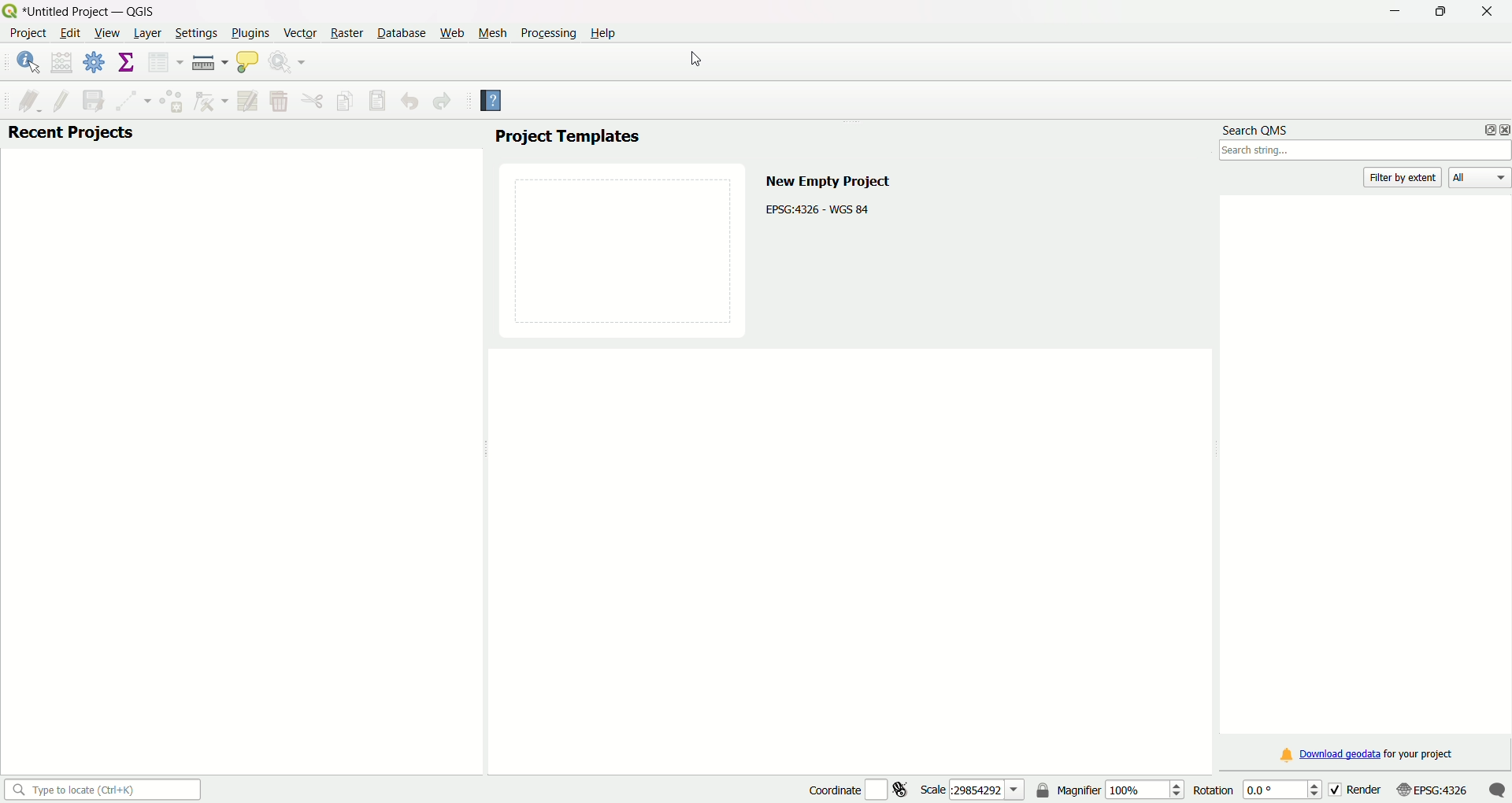 The width and height of the screenshot is (1512, 803). What do you see at coordinates (1405, 177) in the screenshot?
I see `filter` at bounding box center [1405, 177].